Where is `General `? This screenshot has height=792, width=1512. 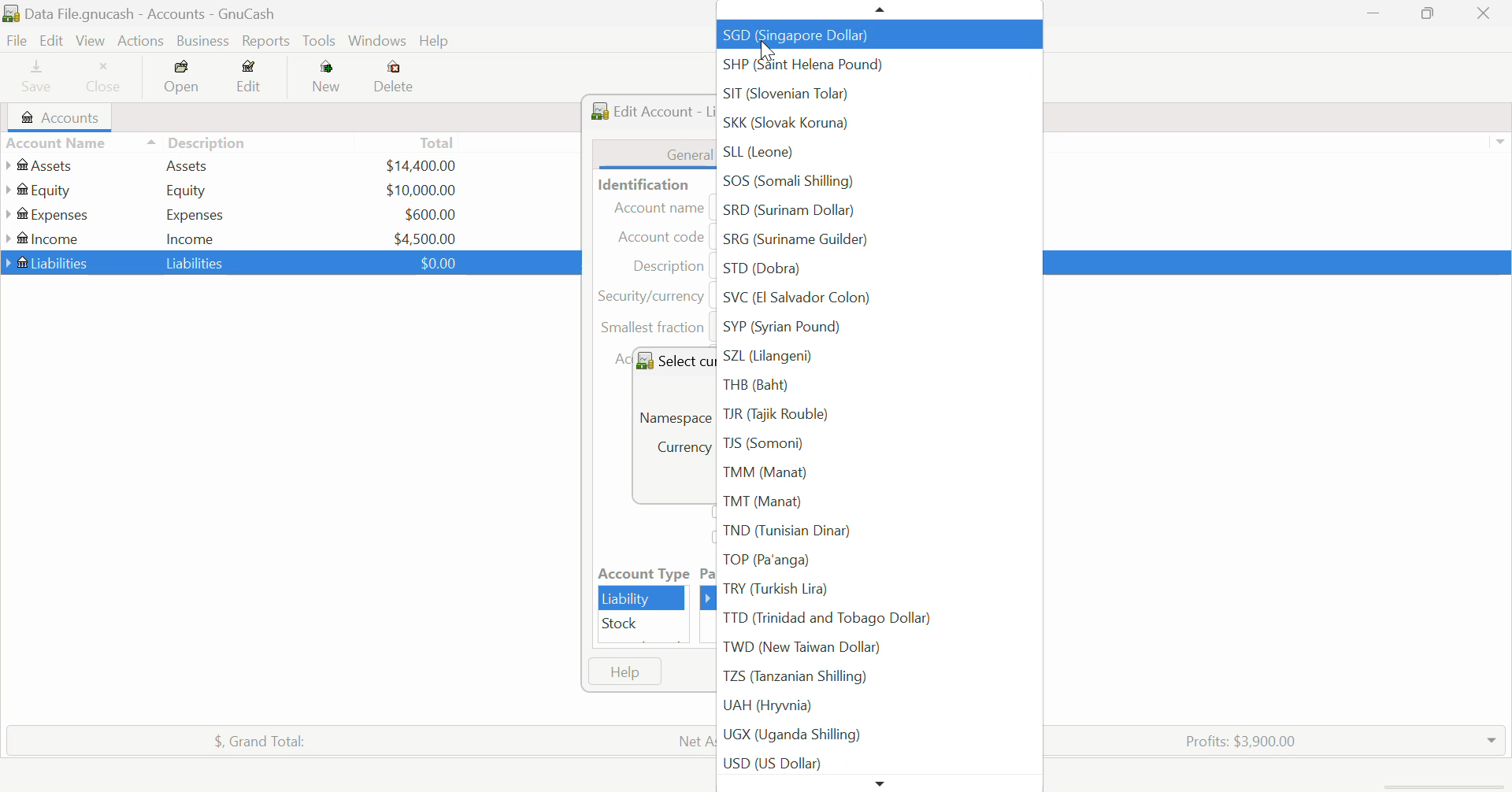
General  is located at coordinates (655, 154).